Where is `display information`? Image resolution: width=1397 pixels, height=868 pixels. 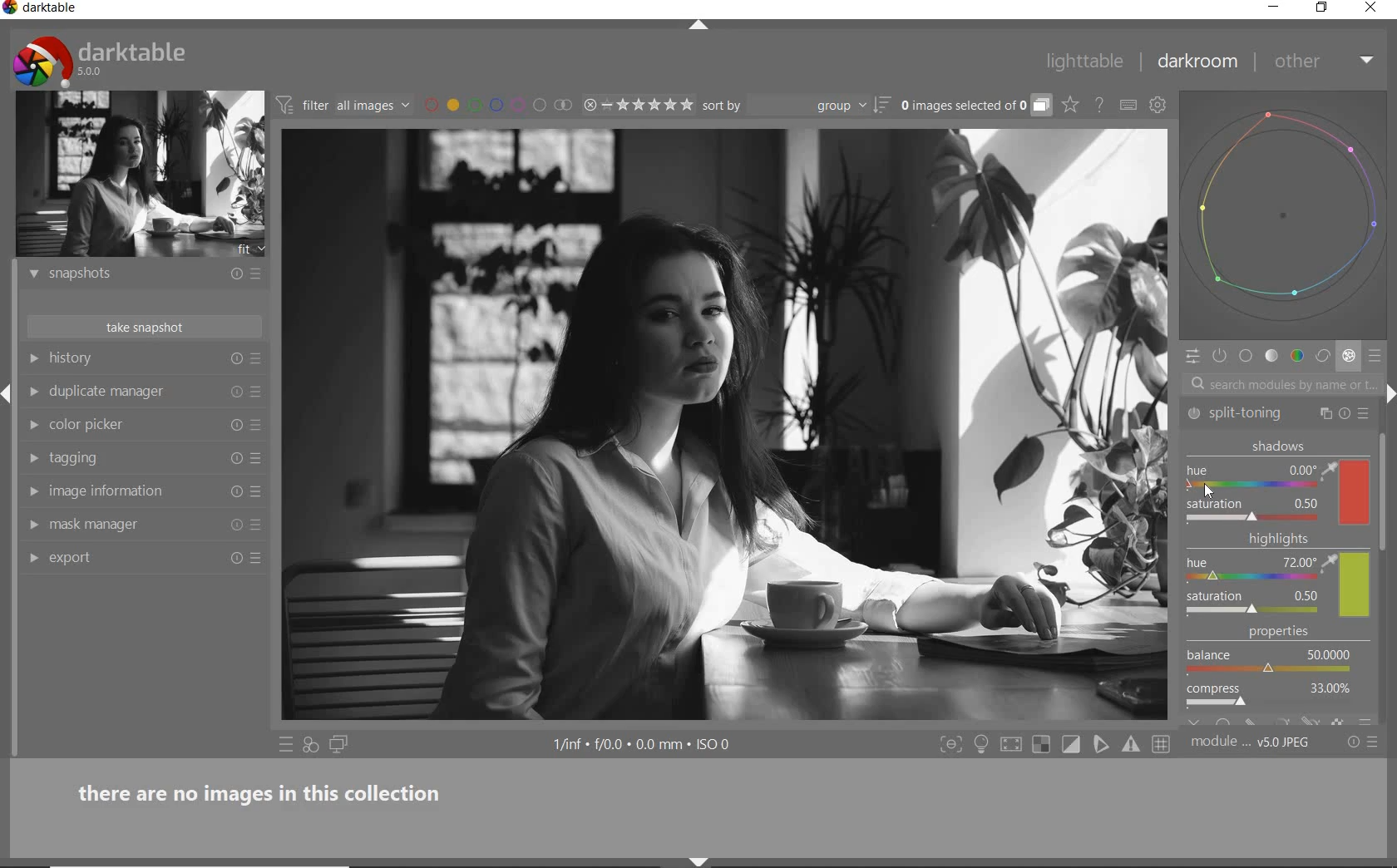 display information is located at coordinates (644, 746).